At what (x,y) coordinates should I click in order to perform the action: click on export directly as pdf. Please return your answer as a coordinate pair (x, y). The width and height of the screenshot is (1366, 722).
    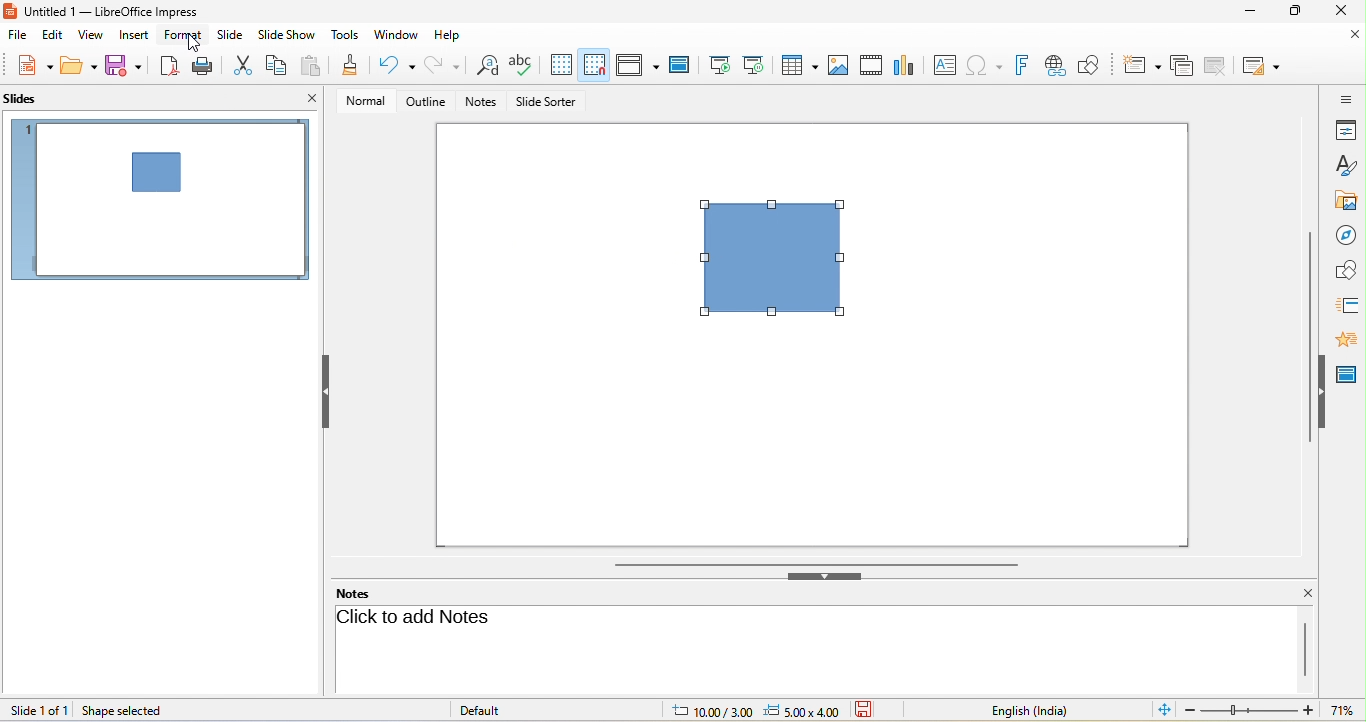
    Looking at the image, I should click on (165, 67).